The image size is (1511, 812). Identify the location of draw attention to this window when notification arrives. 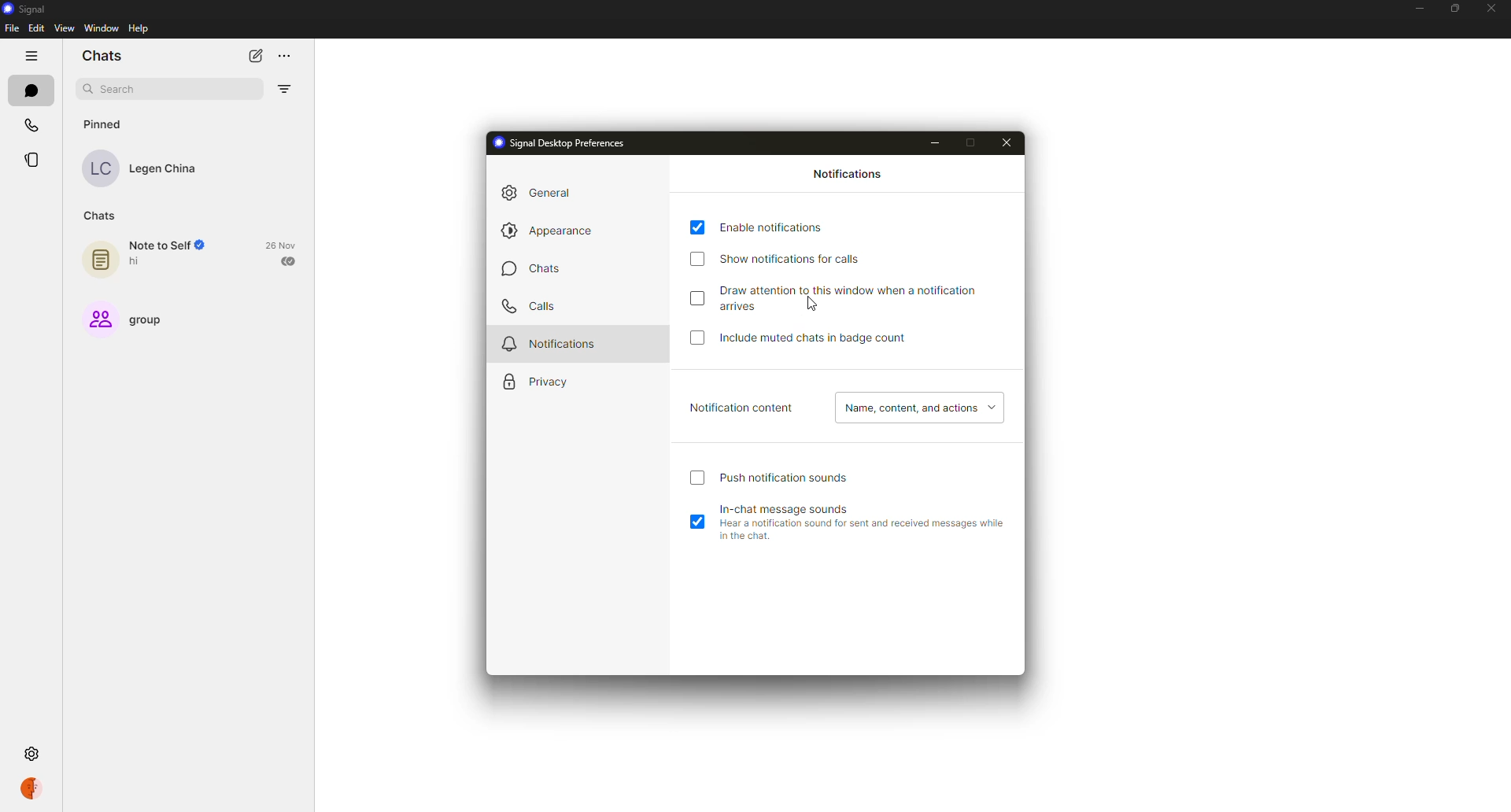
(859, 297).